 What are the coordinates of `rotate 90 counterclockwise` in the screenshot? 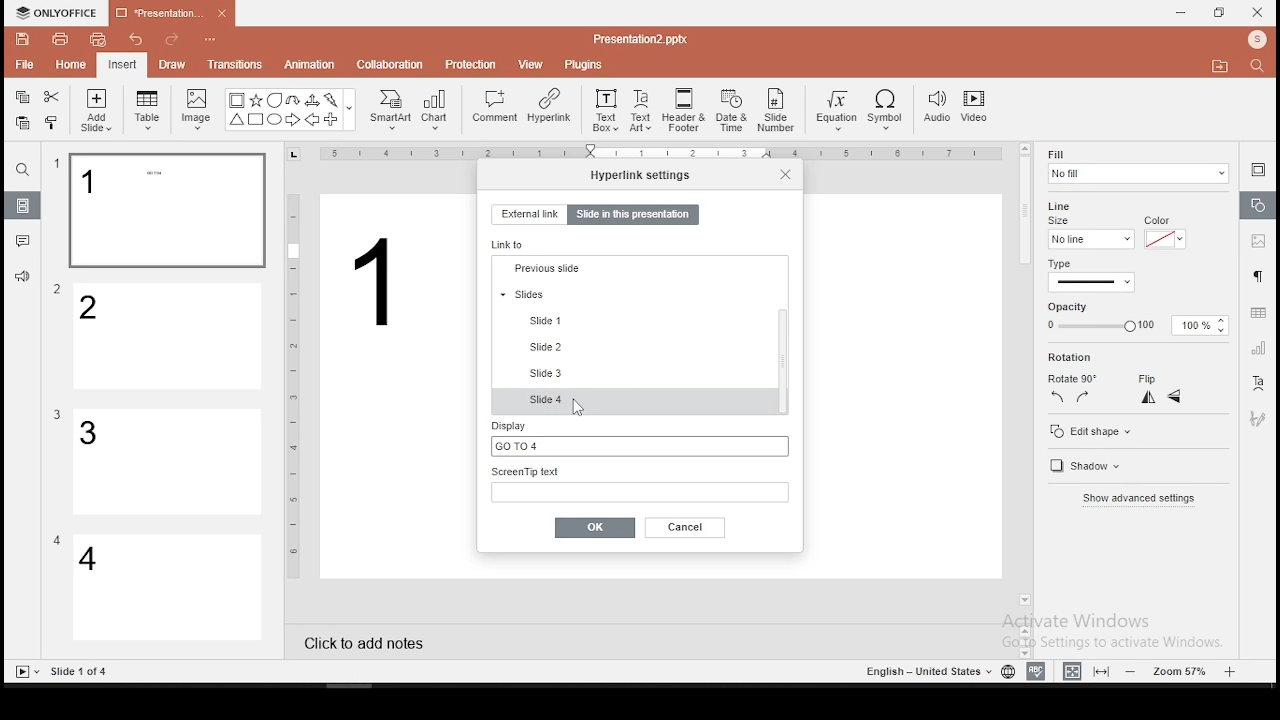 It's located at (1058, 396).